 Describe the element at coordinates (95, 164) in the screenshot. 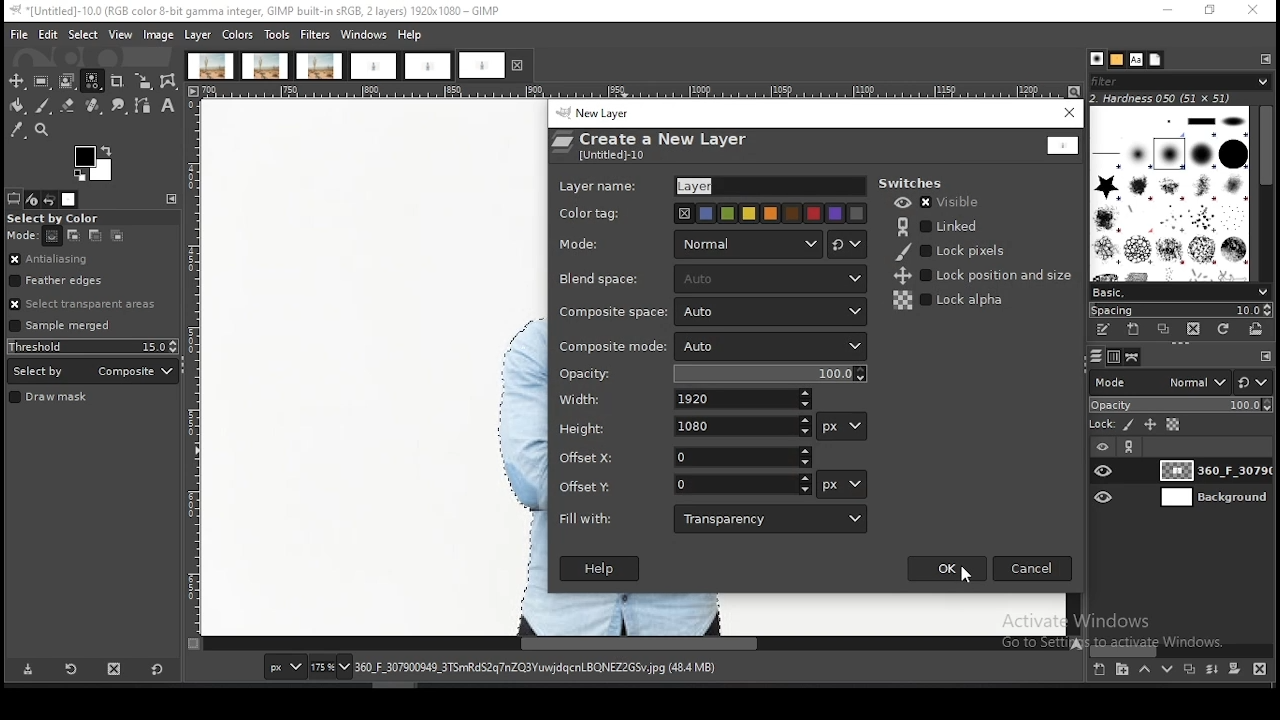

I see `colors` at that location.